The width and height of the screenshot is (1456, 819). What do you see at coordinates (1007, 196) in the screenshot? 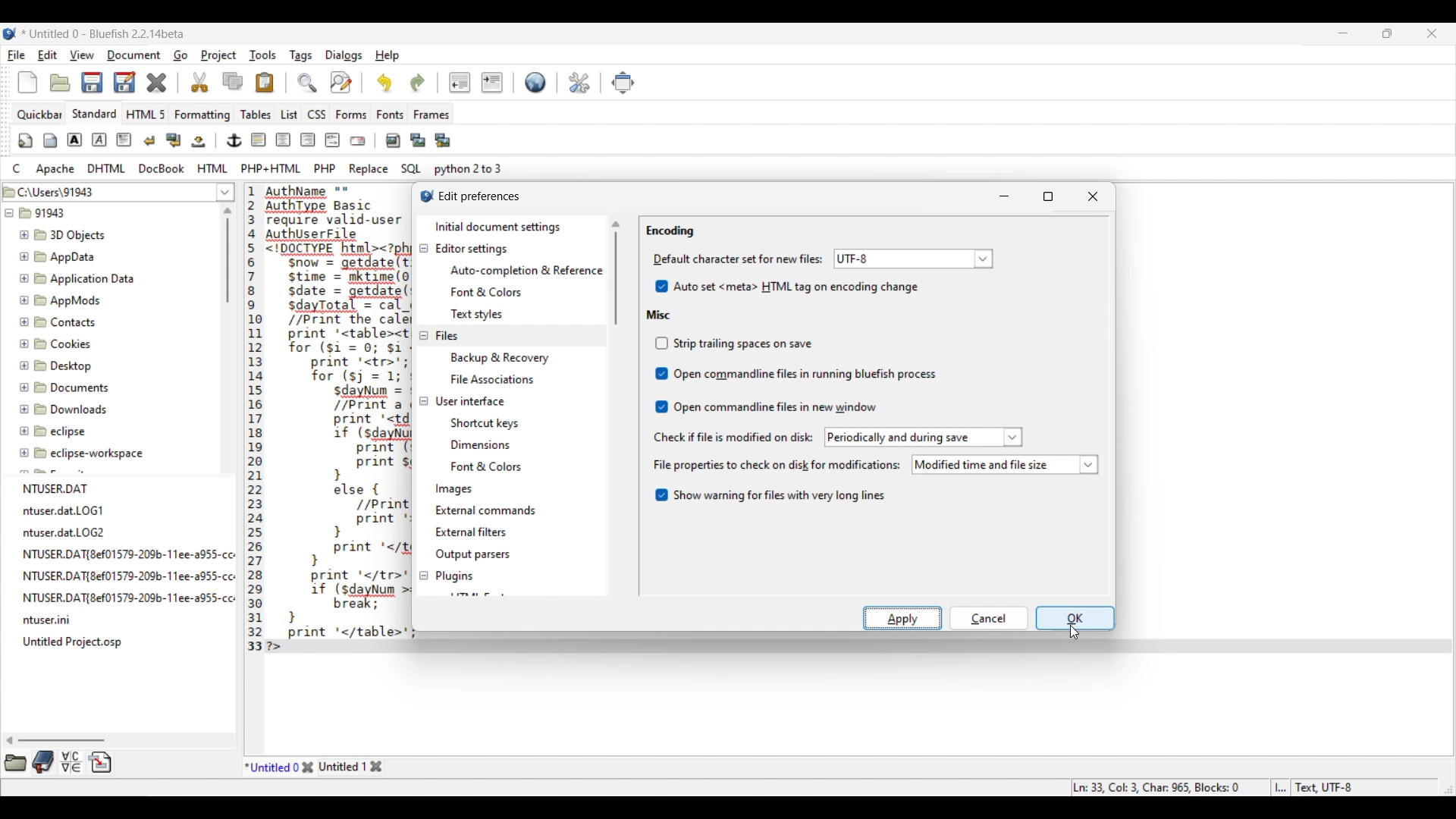
I see `Minimize` at bounding box center [1007, 196].